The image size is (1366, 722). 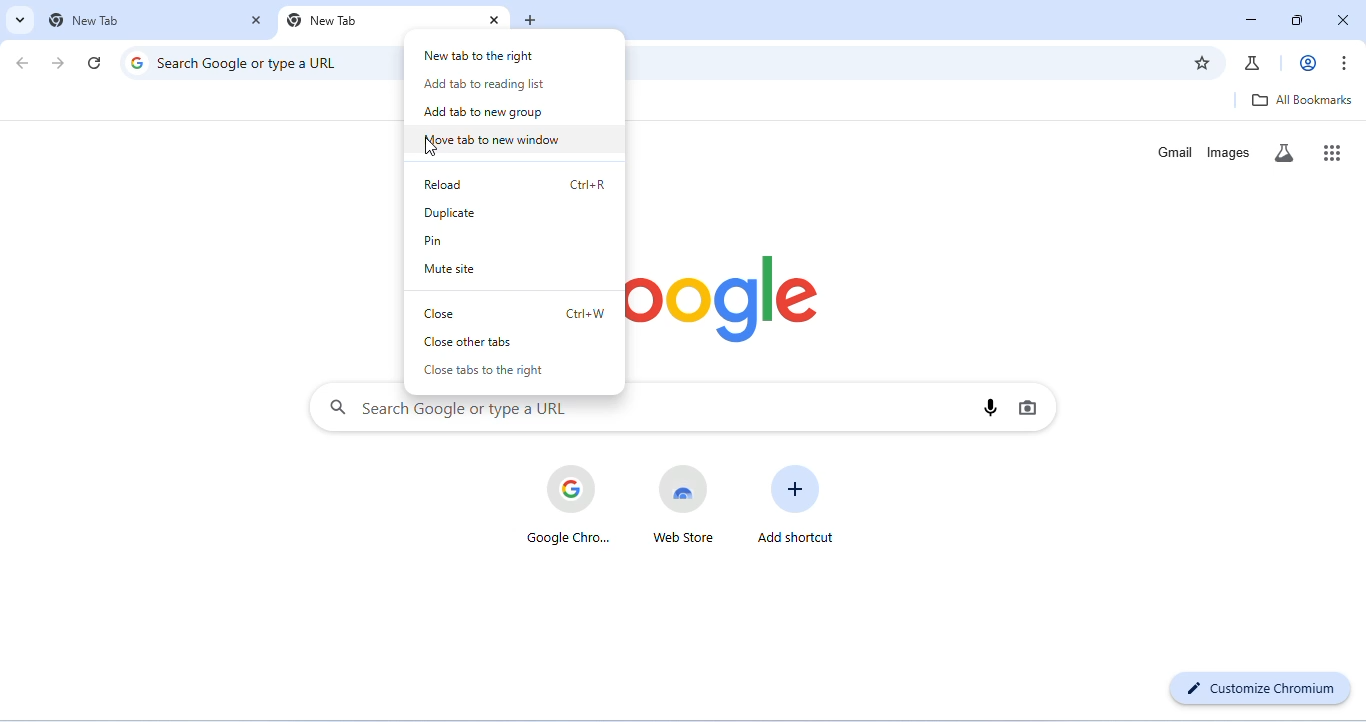 I want to click on add shortcut, so click(x=797, y=503).